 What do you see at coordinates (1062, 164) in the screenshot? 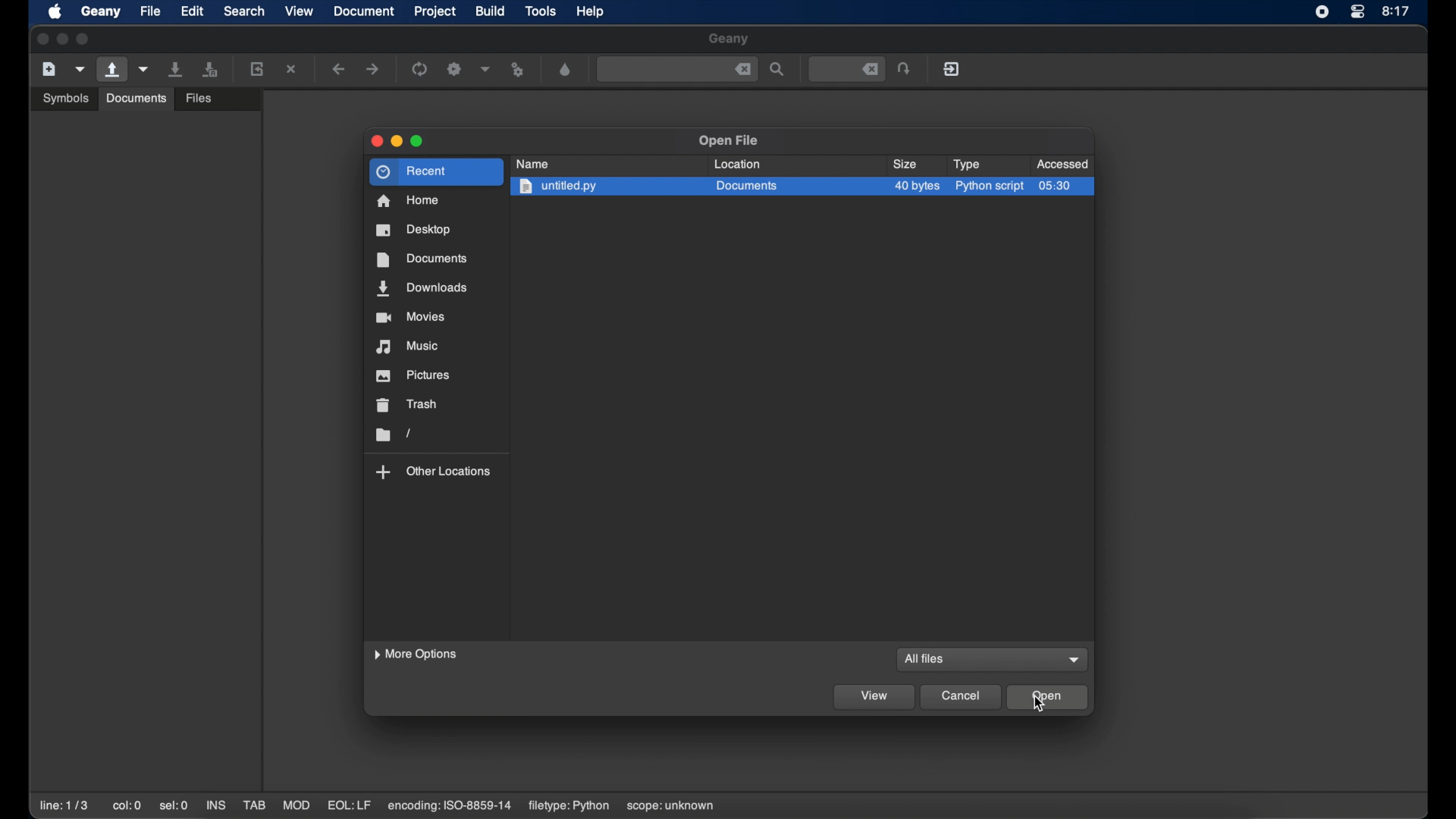
I see `accessed` at bounding box center [1062, 164].